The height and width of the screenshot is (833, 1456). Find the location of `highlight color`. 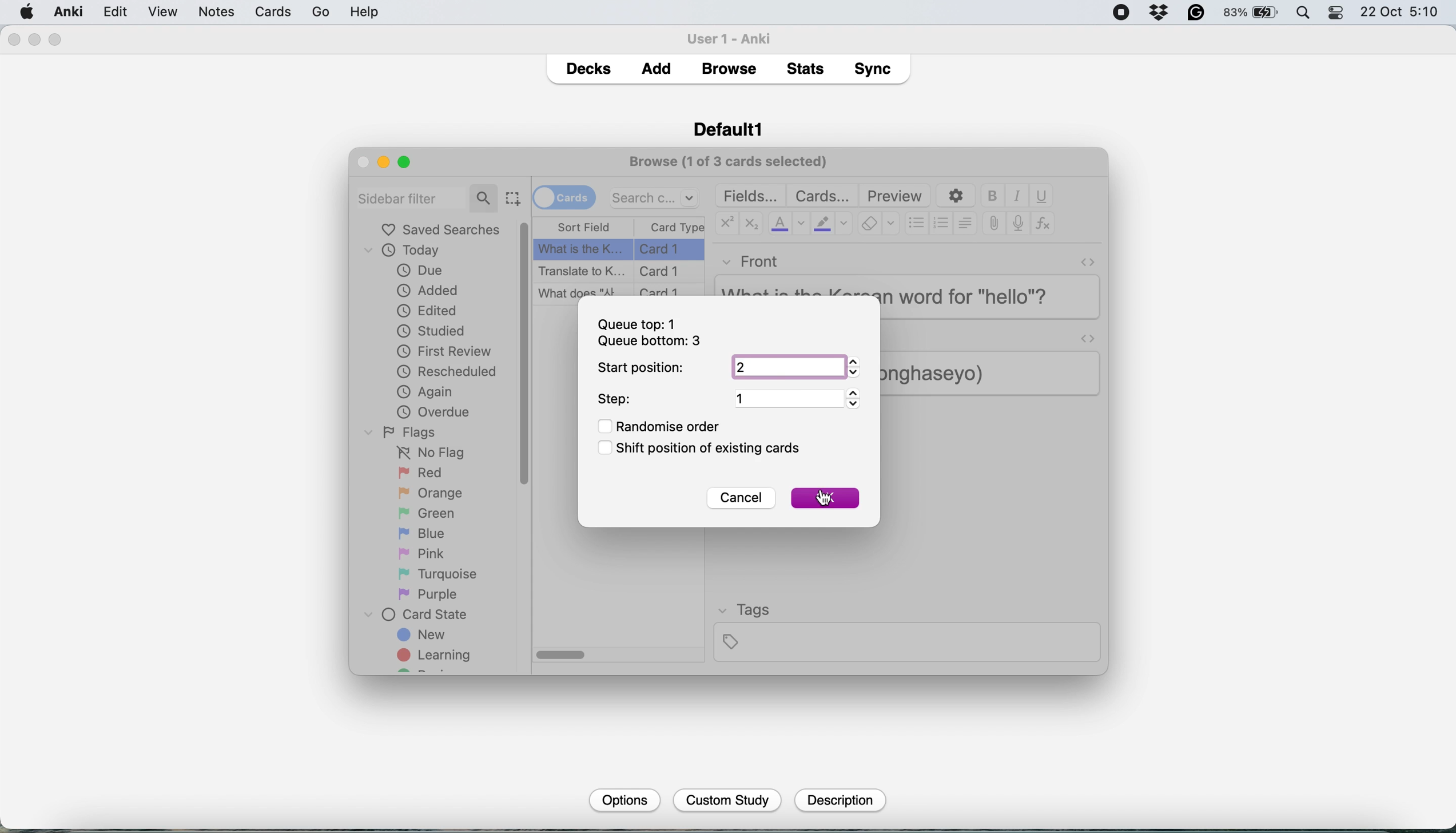

highlight color is located at coordinates (831, 225).